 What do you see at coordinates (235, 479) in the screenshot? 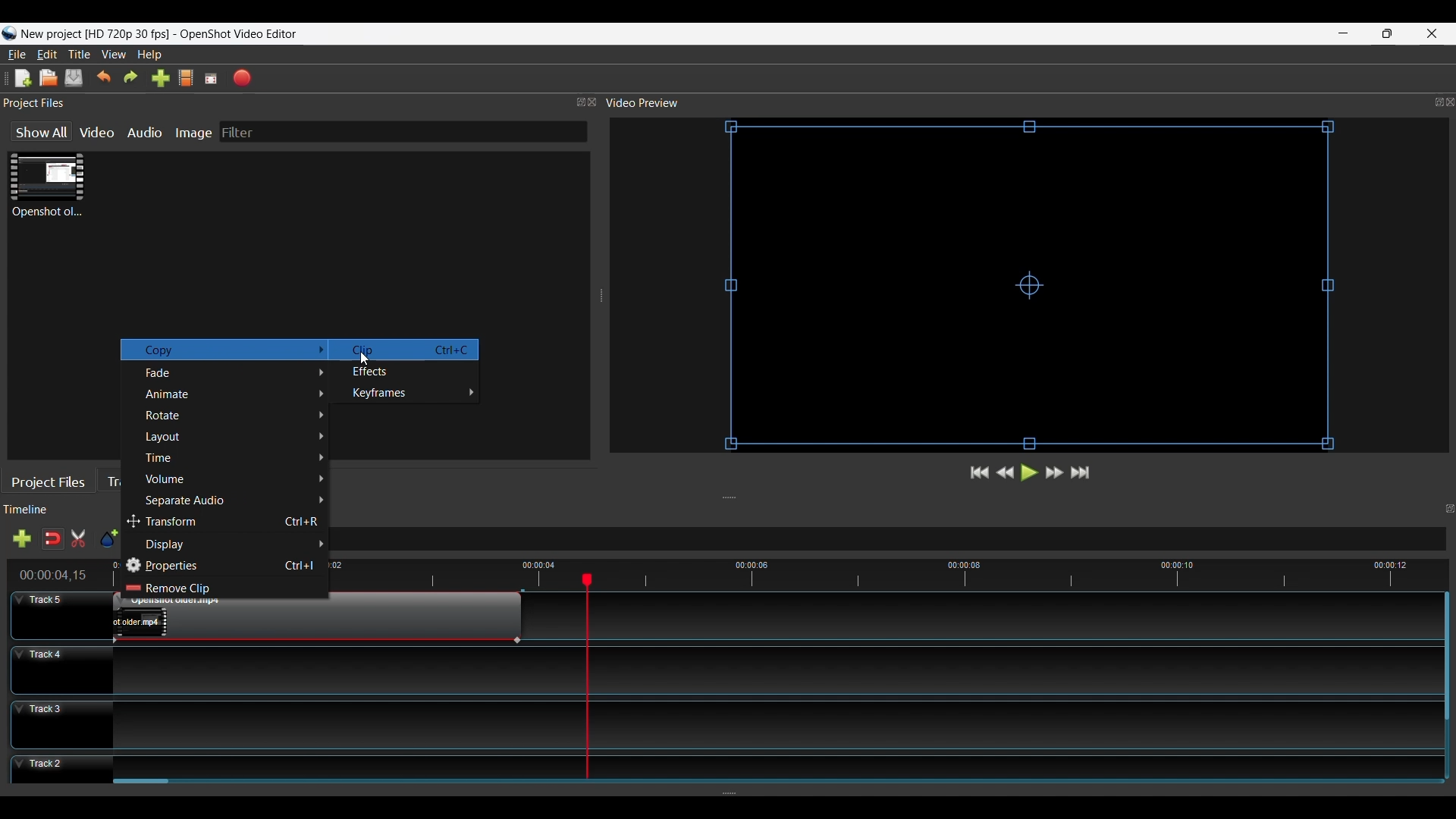
I see `Volume` at bounding box center [235, 479].